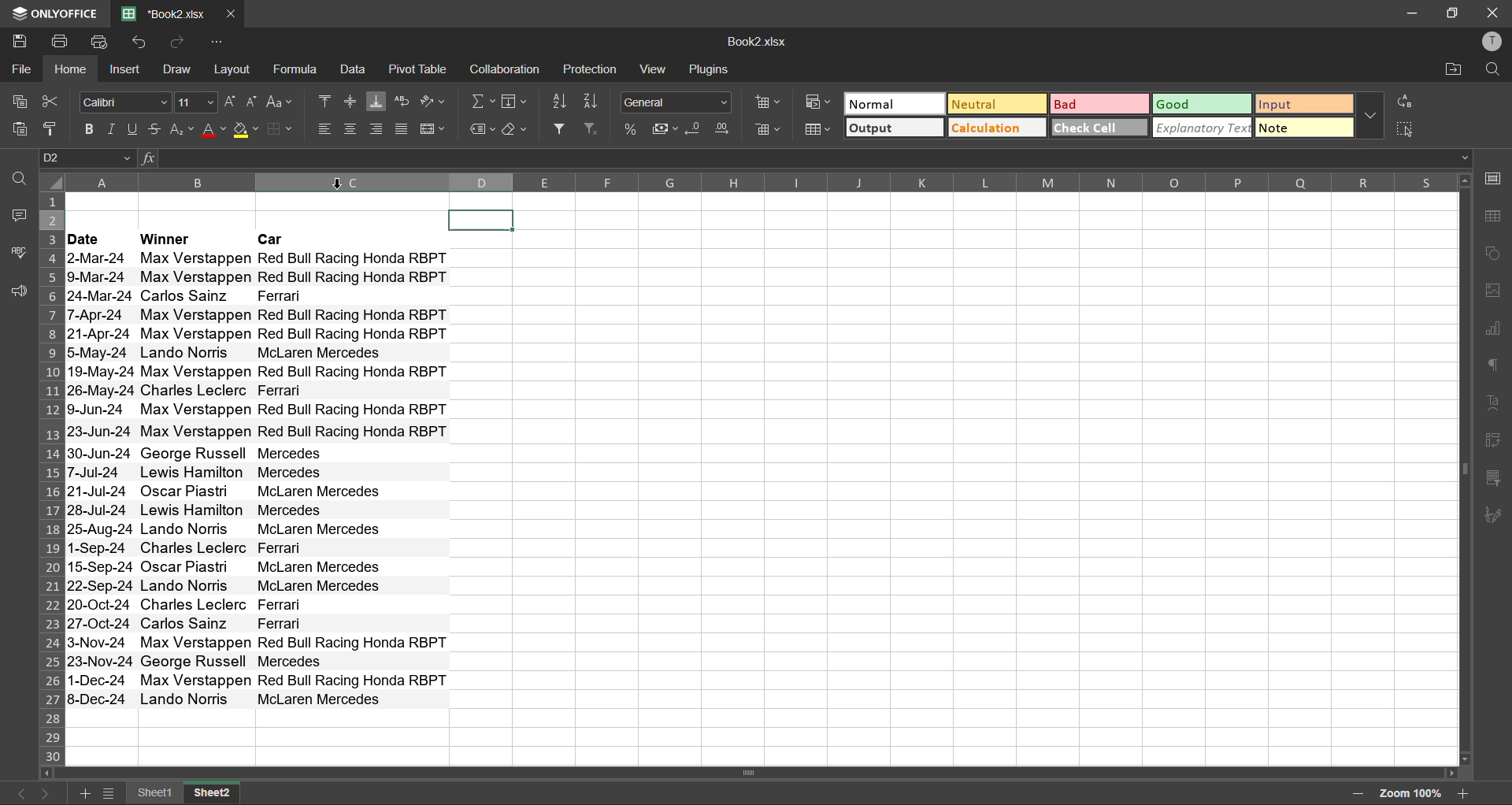 The height and width of the screenshot is (805, 1512). I want to click on decrease decimal, so click(695, 130).